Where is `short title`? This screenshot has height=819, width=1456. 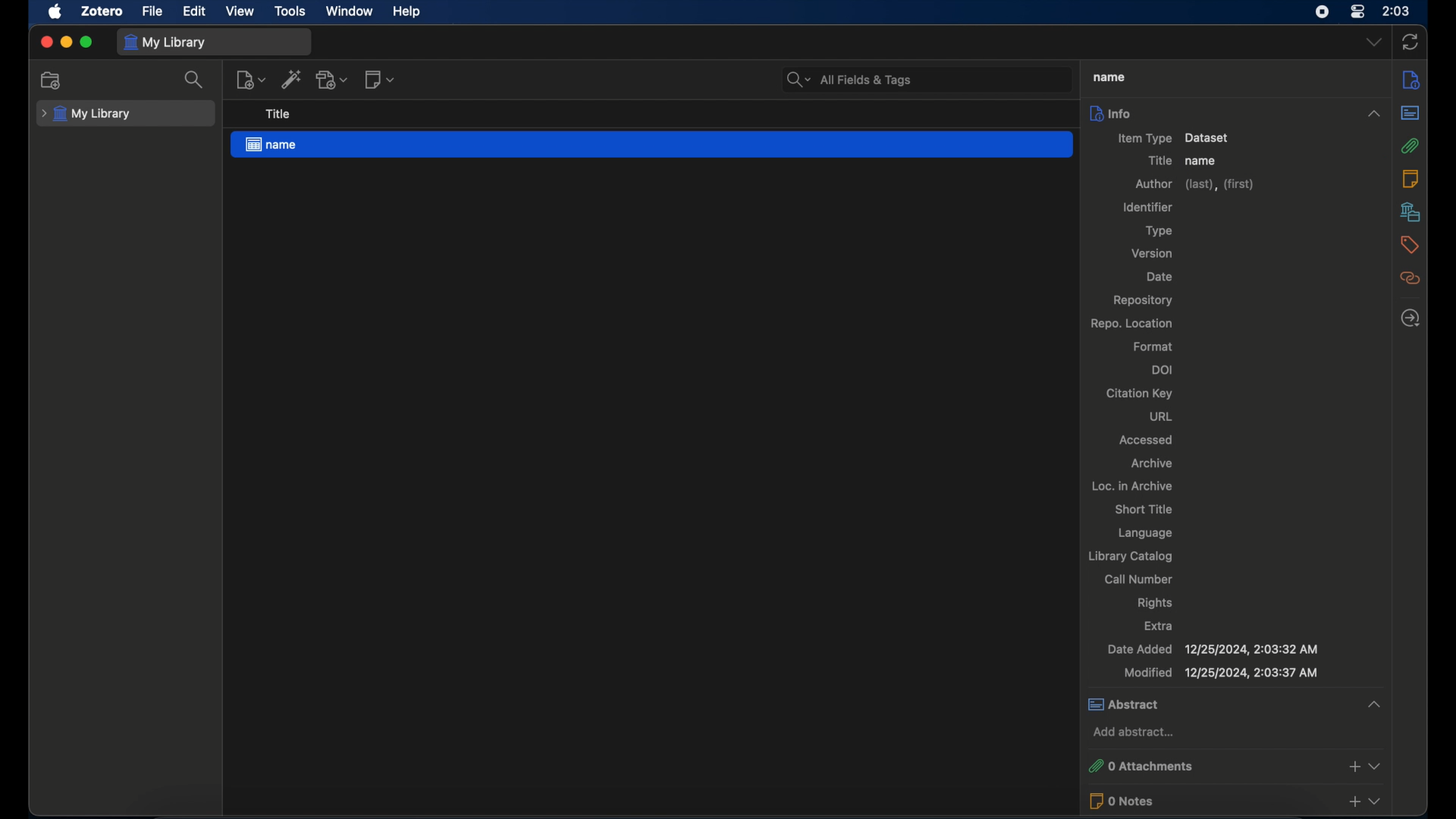
short title is located at coordinates (1145, 509).